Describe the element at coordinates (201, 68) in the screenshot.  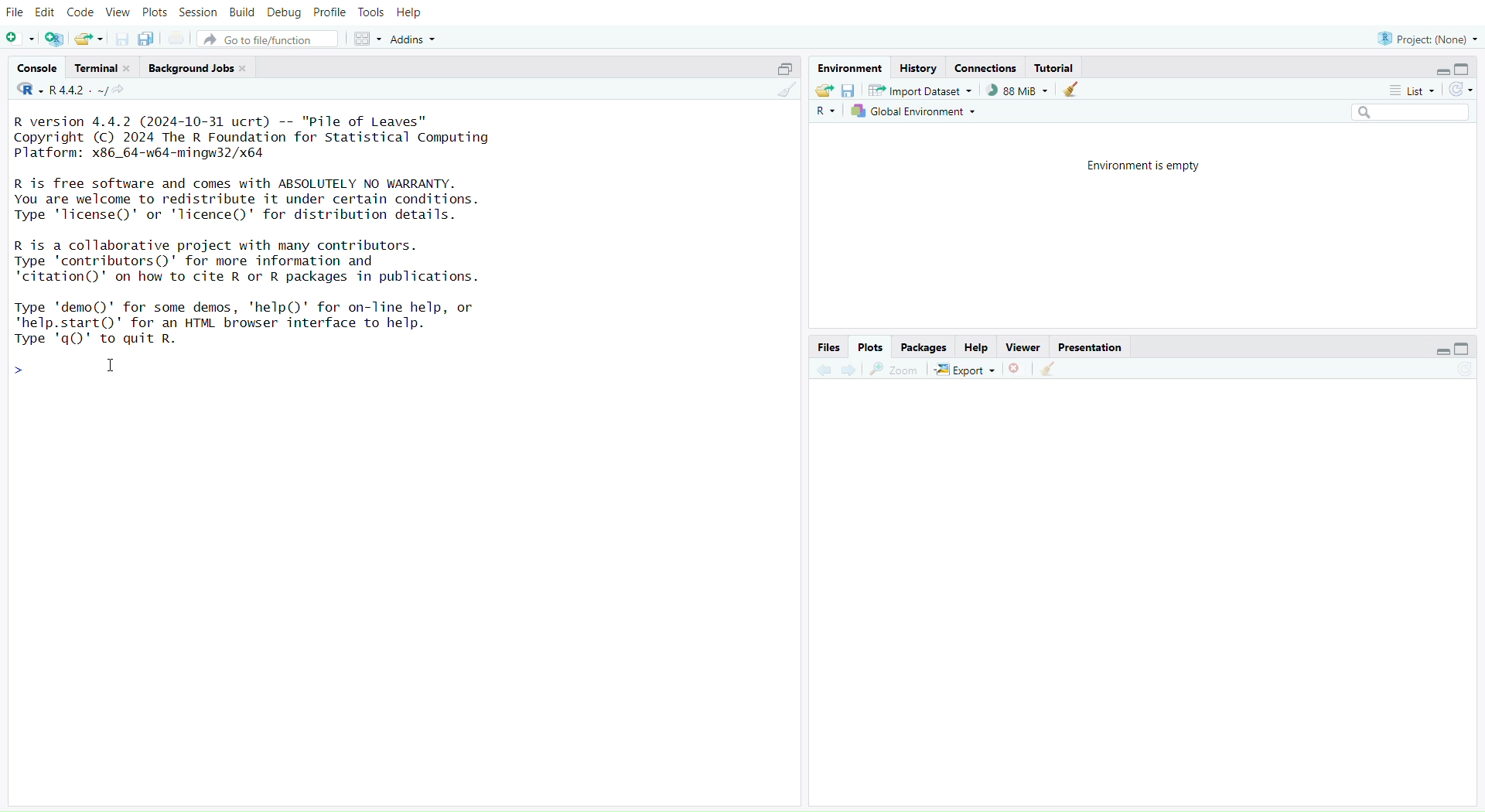
I see `background jobs` at that location.